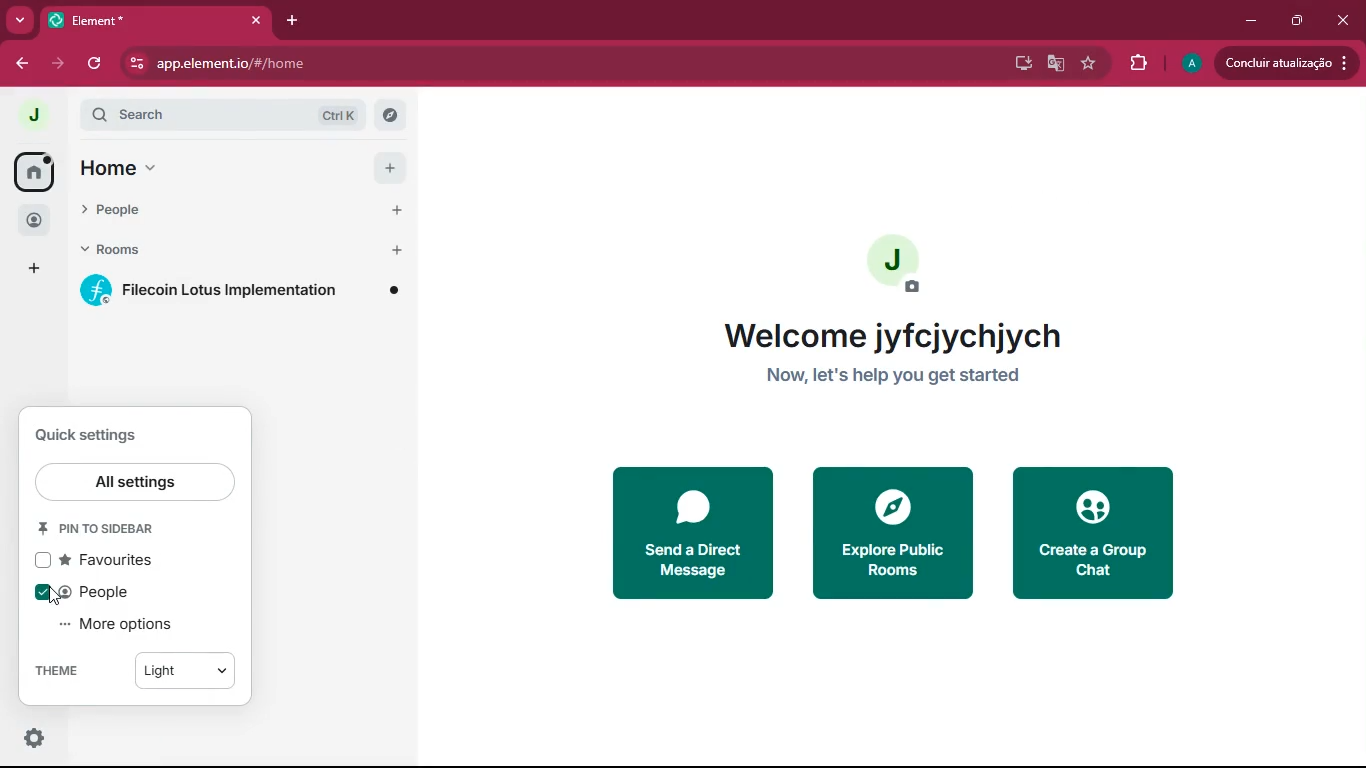 Image resolution: width=1366 pixels, height=768 pixels. What do you see at coordinates (35, 174) in the screenshot?
I see `home` at bounding box center [35, 174].